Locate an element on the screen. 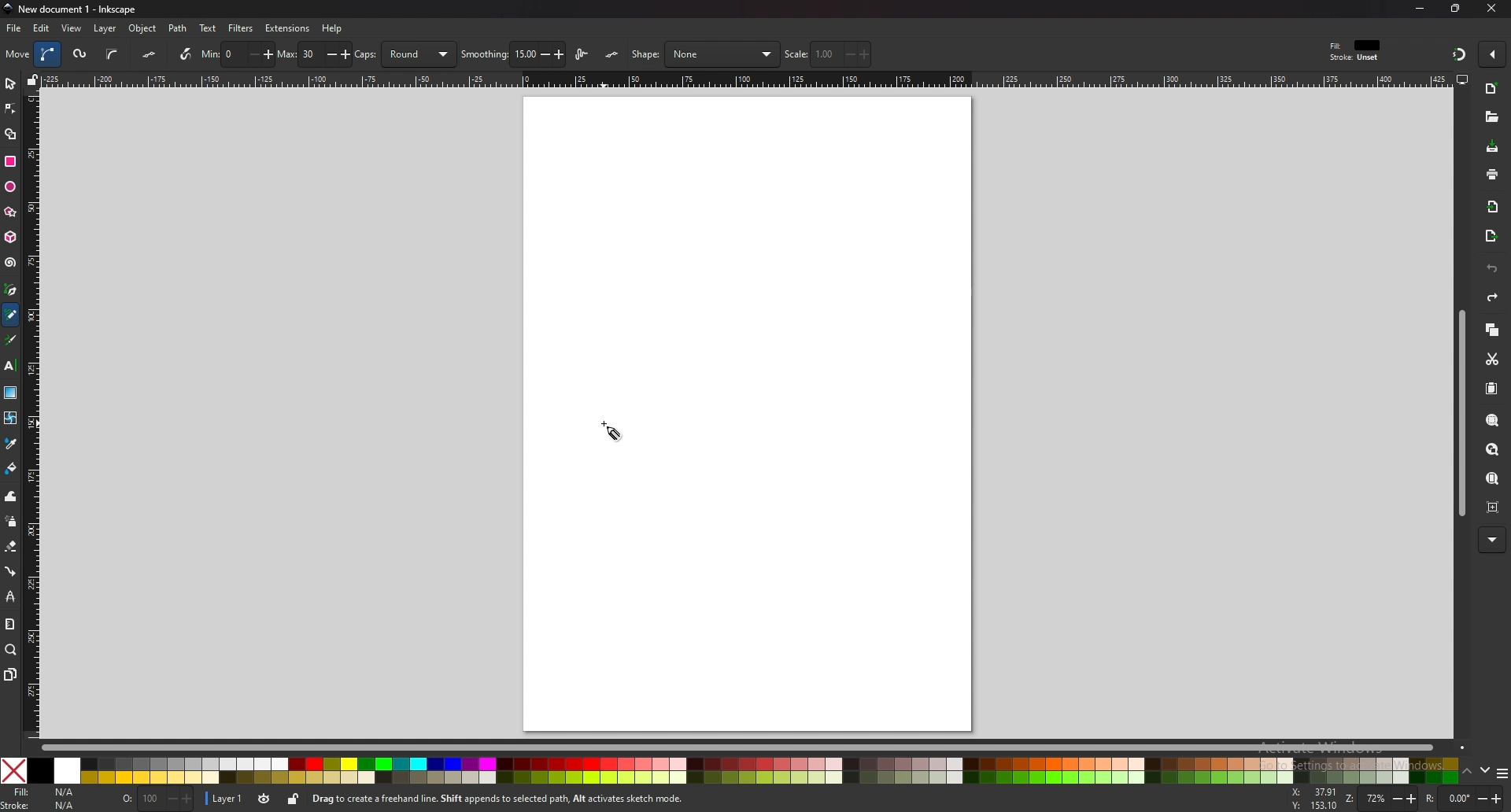 The height and width of the screenshot is (812, 1511). smoothing is located at coordinates (512, 53).